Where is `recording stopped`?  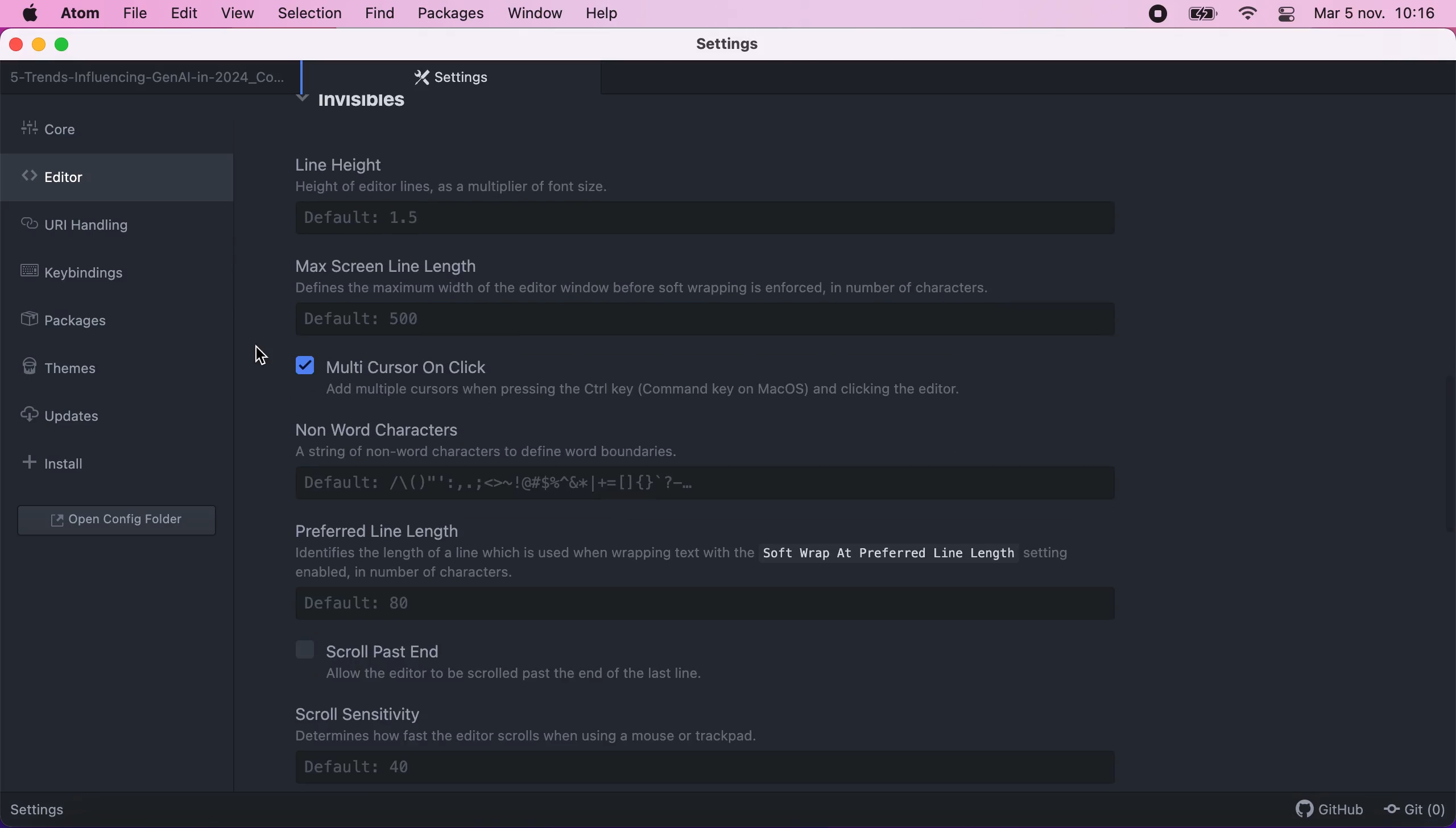 recording stopped is located at coordinates (1156, 13).